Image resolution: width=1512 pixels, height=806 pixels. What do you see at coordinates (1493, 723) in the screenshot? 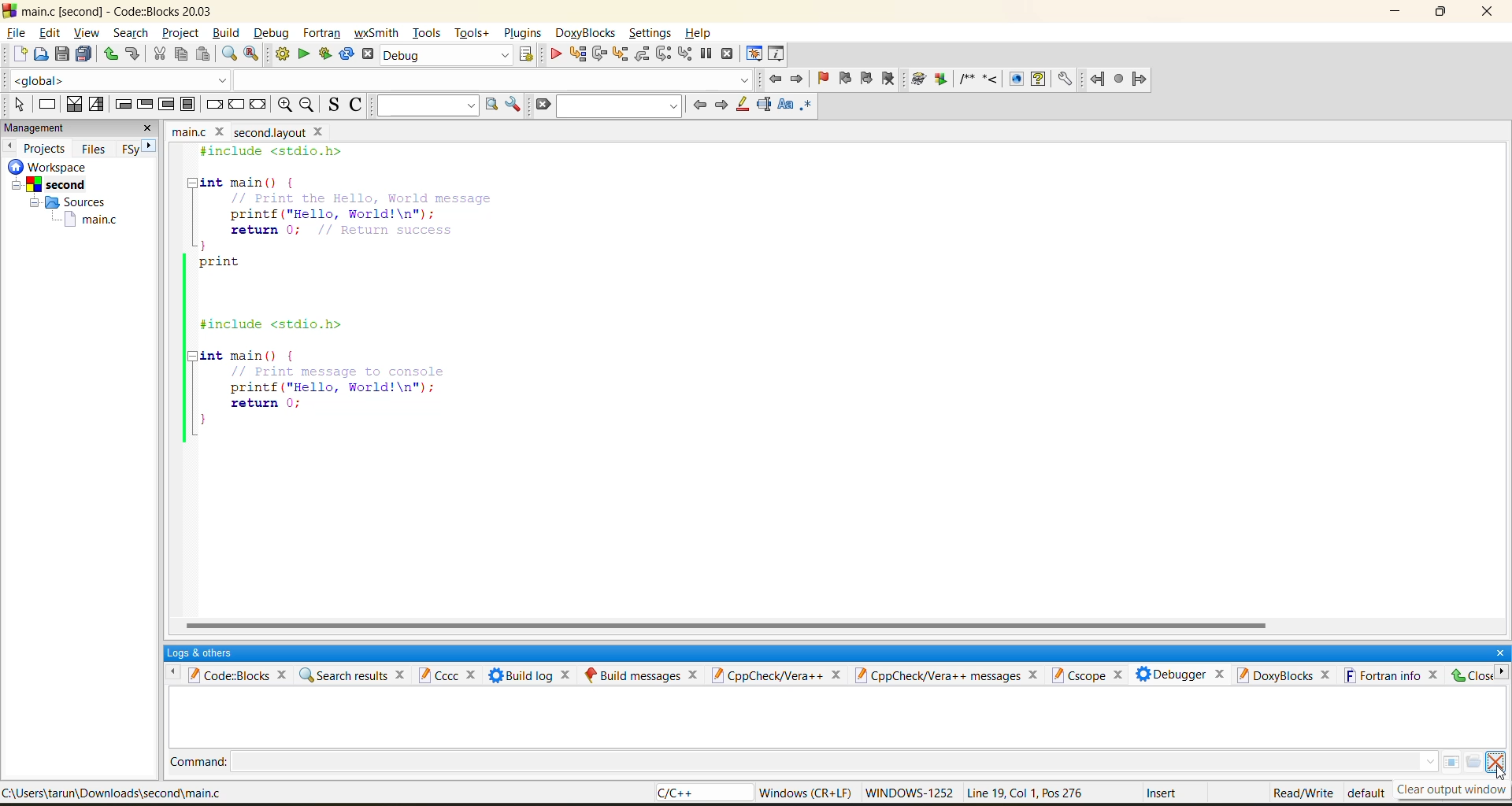
I see `vertical scroll bar` at bounding box center [1493, 723].